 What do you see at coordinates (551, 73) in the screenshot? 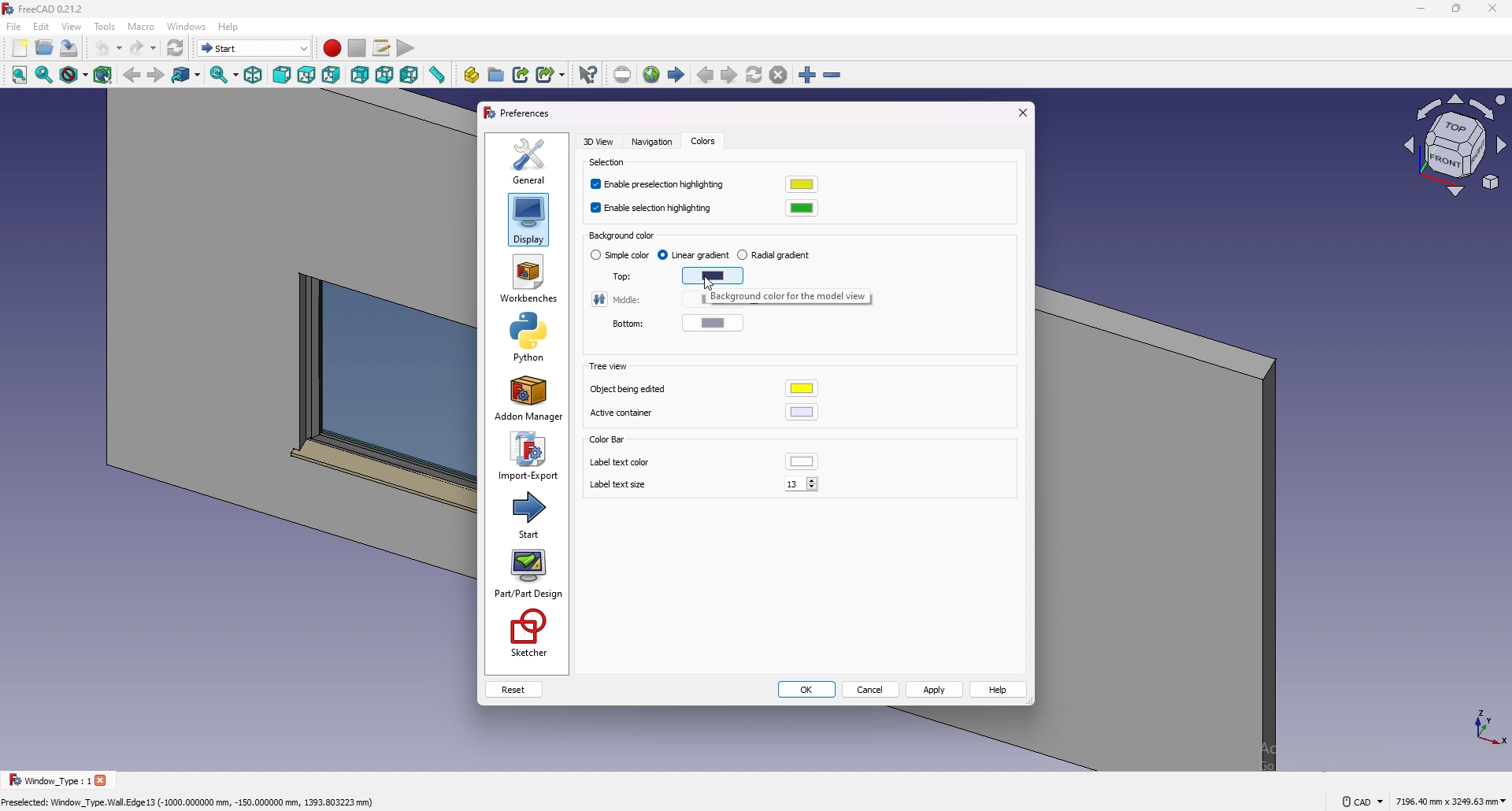
I see `make sub link` at bounding box center [551, 73].